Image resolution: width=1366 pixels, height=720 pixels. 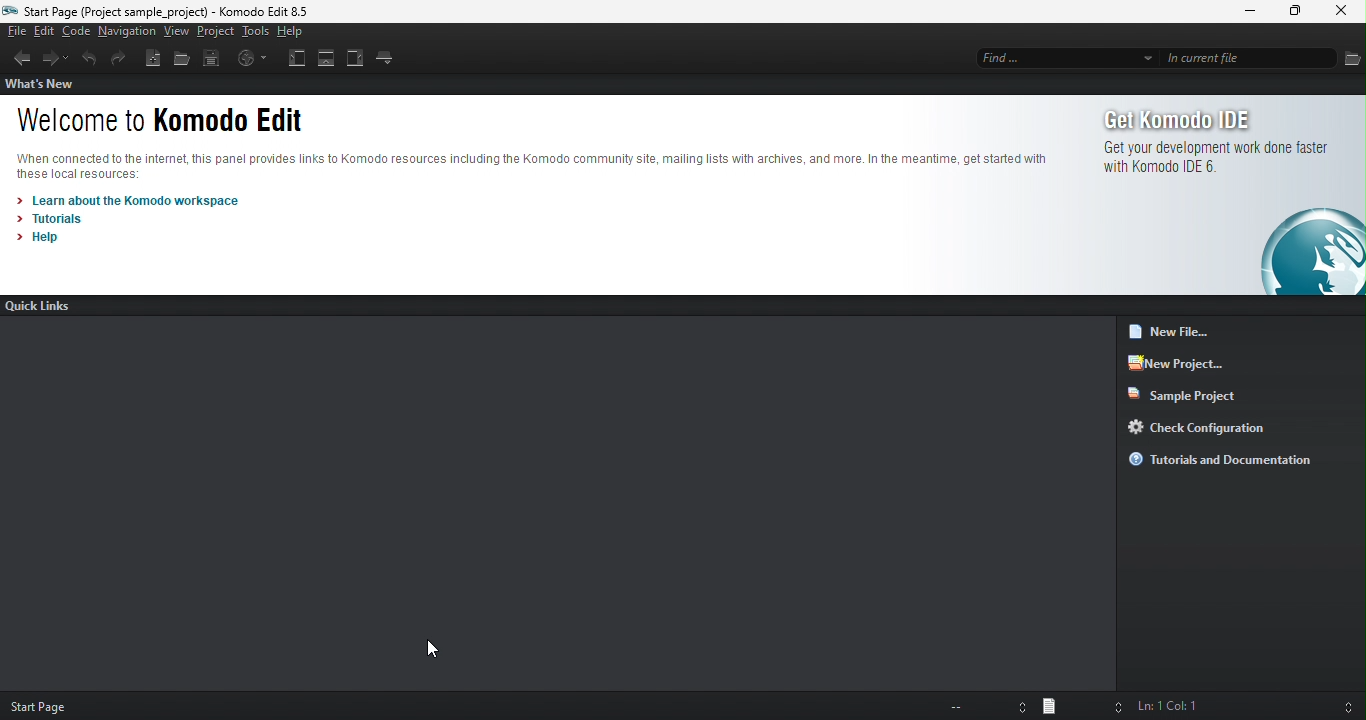 What do you see at coordinates (78, 31) in the screenshot?
I see `code` at bounding box center [78, 31].